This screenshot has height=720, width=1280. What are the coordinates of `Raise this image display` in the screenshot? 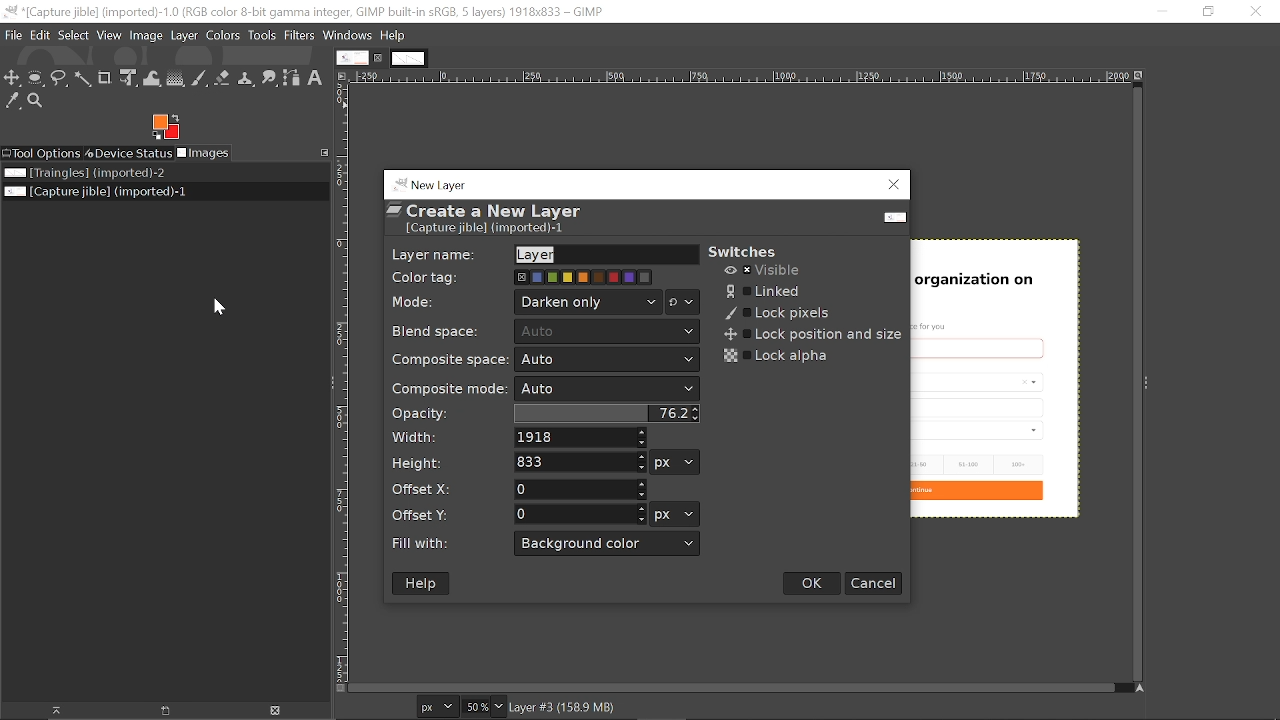 It's located at (48, 710).